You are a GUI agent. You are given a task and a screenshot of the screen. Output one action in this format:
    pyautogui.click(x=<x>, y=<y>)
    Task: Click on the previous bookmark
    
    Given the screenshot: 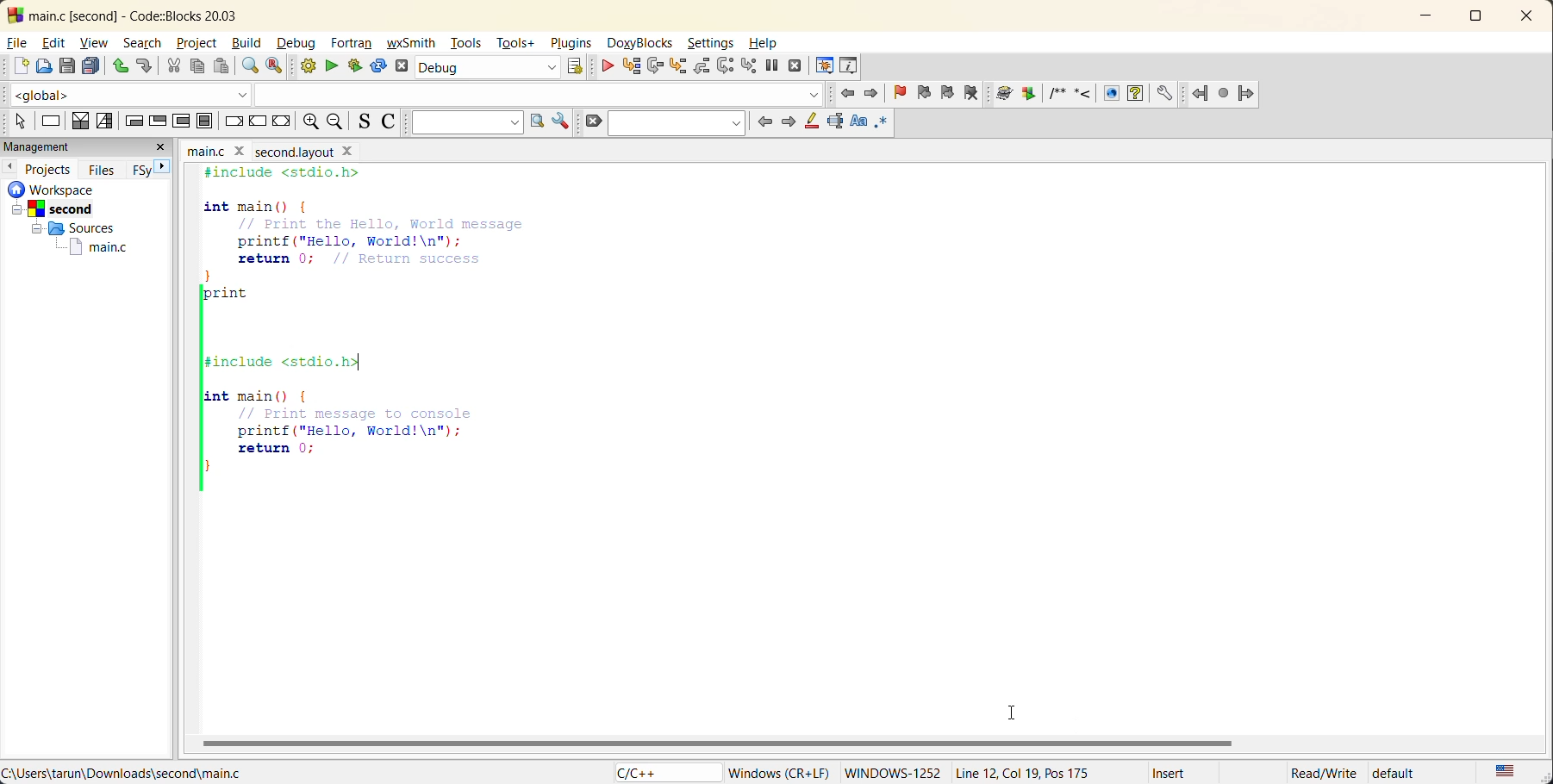 What is the action you would take?
    pyautogui.click(x=926, y=94)
    